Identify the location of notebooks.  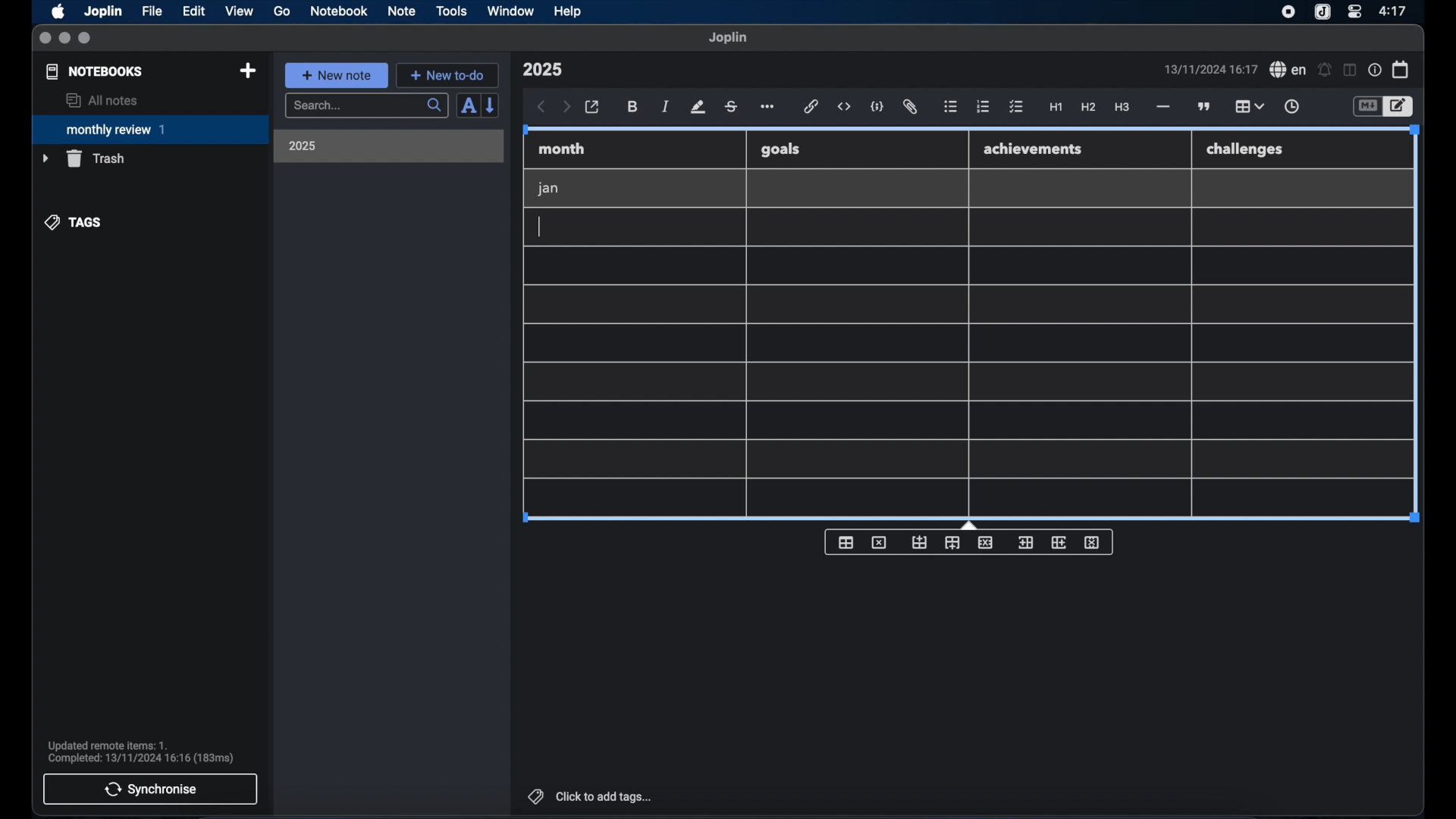
(95, 71).